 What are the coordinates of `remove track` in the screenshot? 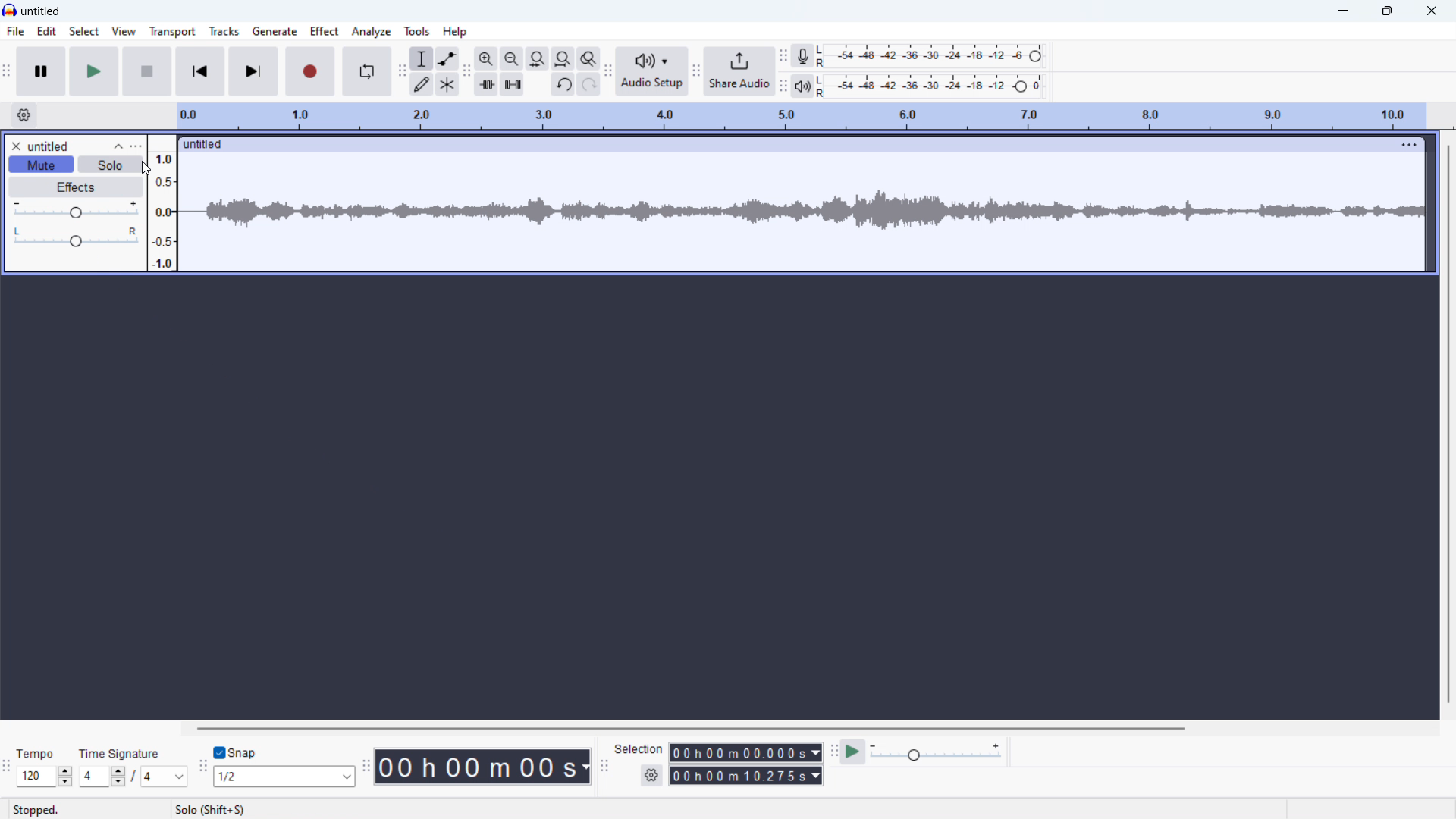 It's located at (14, 146).